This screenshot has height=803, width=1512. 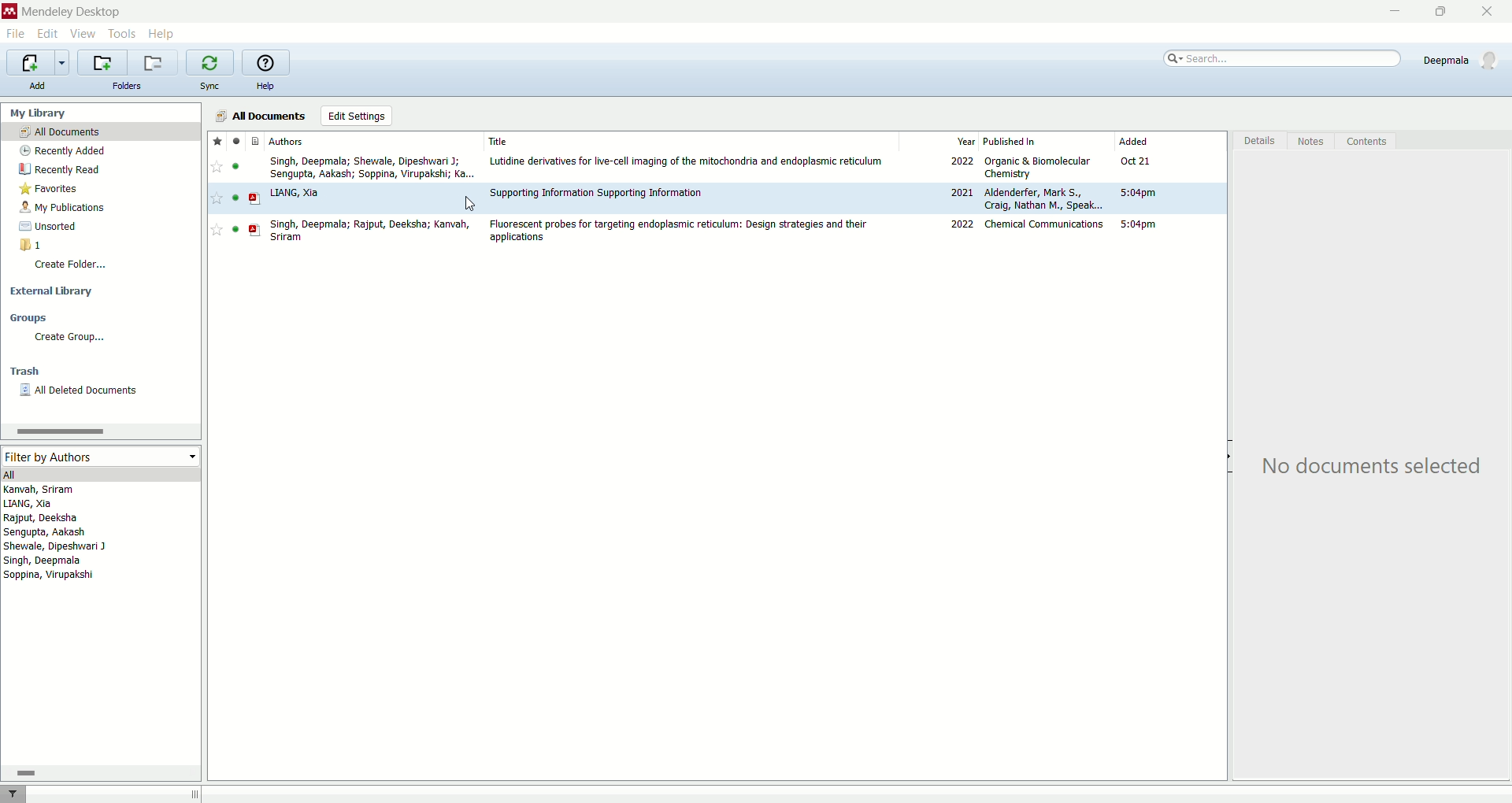 I want to click on create a new folder, so click(x=102, y=63).